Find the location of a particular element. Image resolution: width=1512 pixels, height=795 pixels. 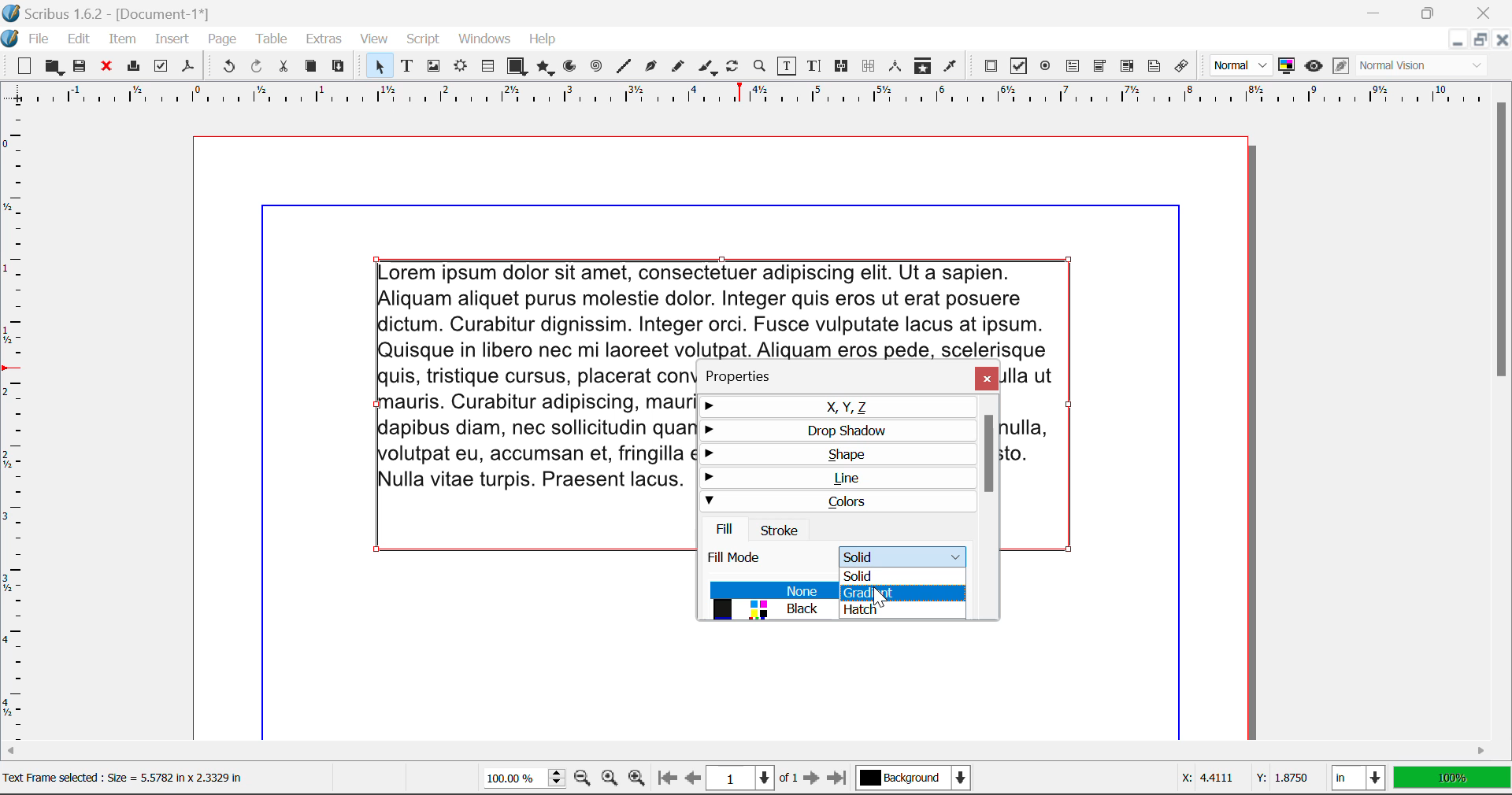

Extras is located at coordinates (326, 39).